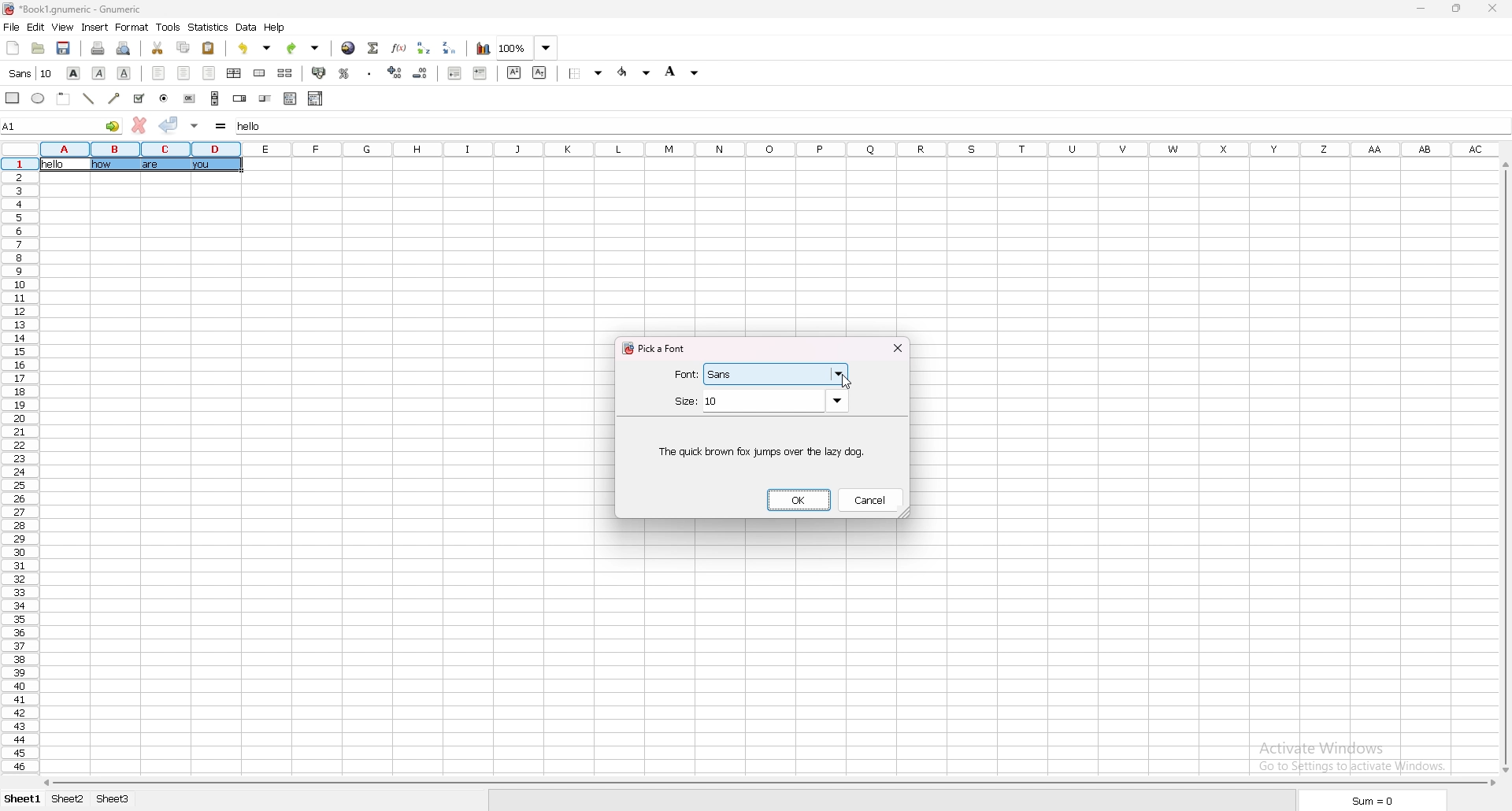  I want to click on new, so click(12, 48).